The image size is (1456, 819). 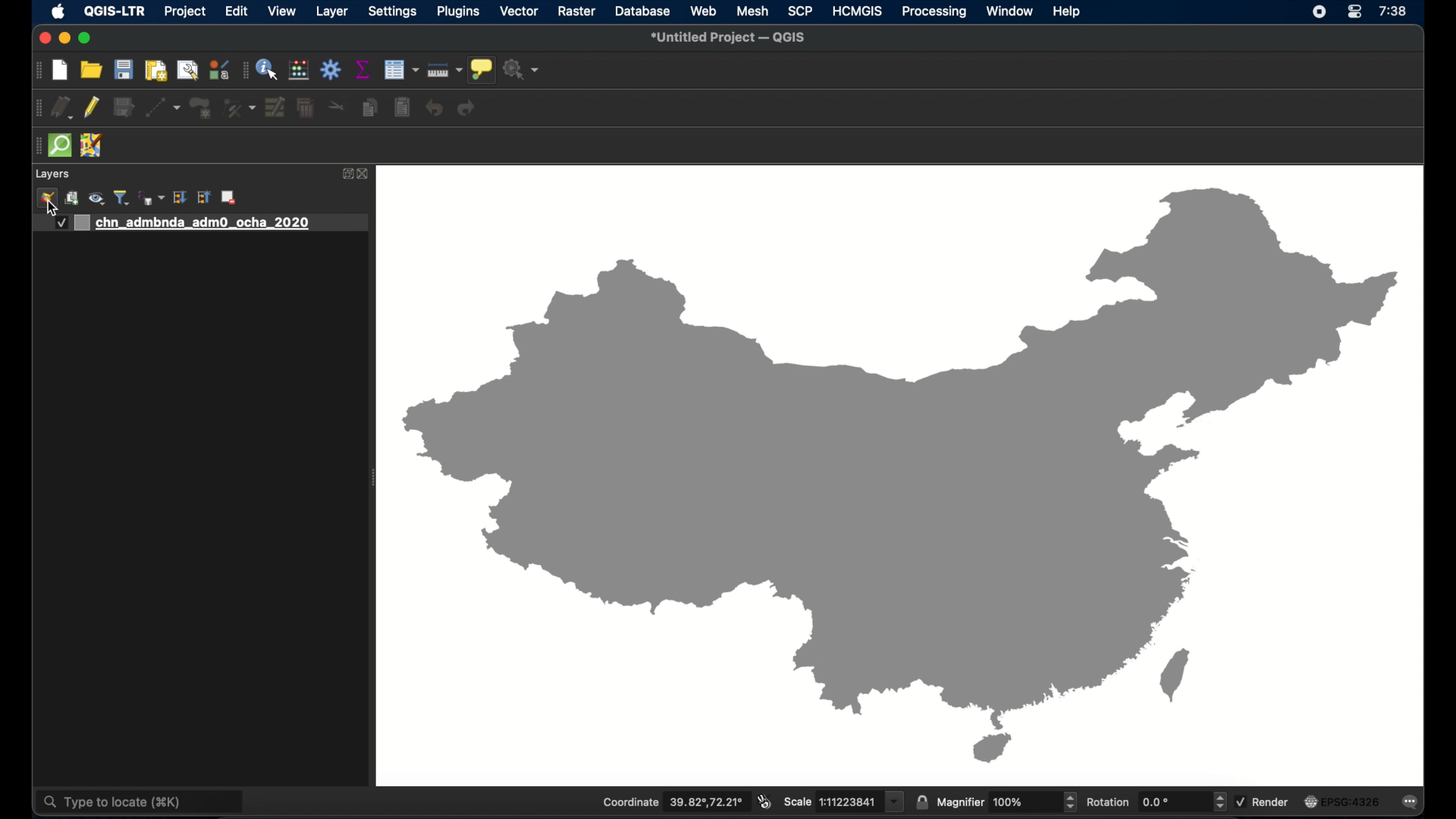 I want to click on increase/decrease arrow, so click(x=1219, y=803).